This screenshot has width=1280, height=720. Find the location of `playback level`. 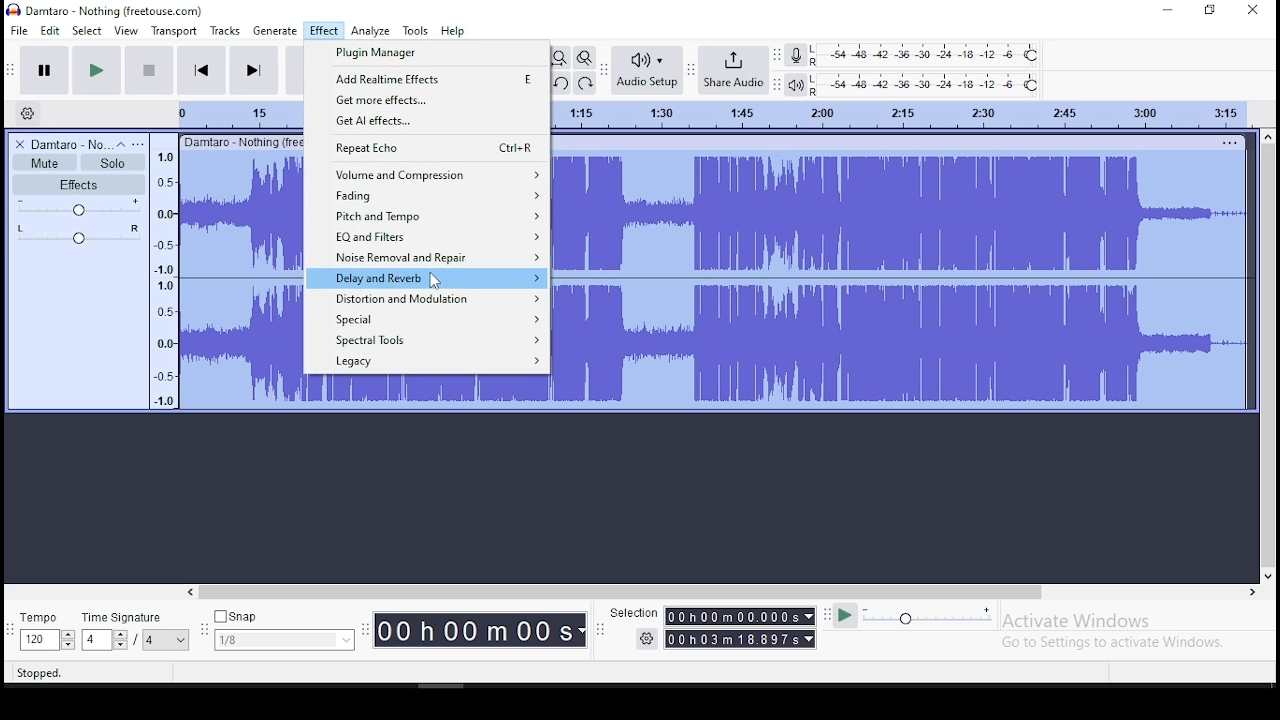

playback level is located at coordinates (925, 84).